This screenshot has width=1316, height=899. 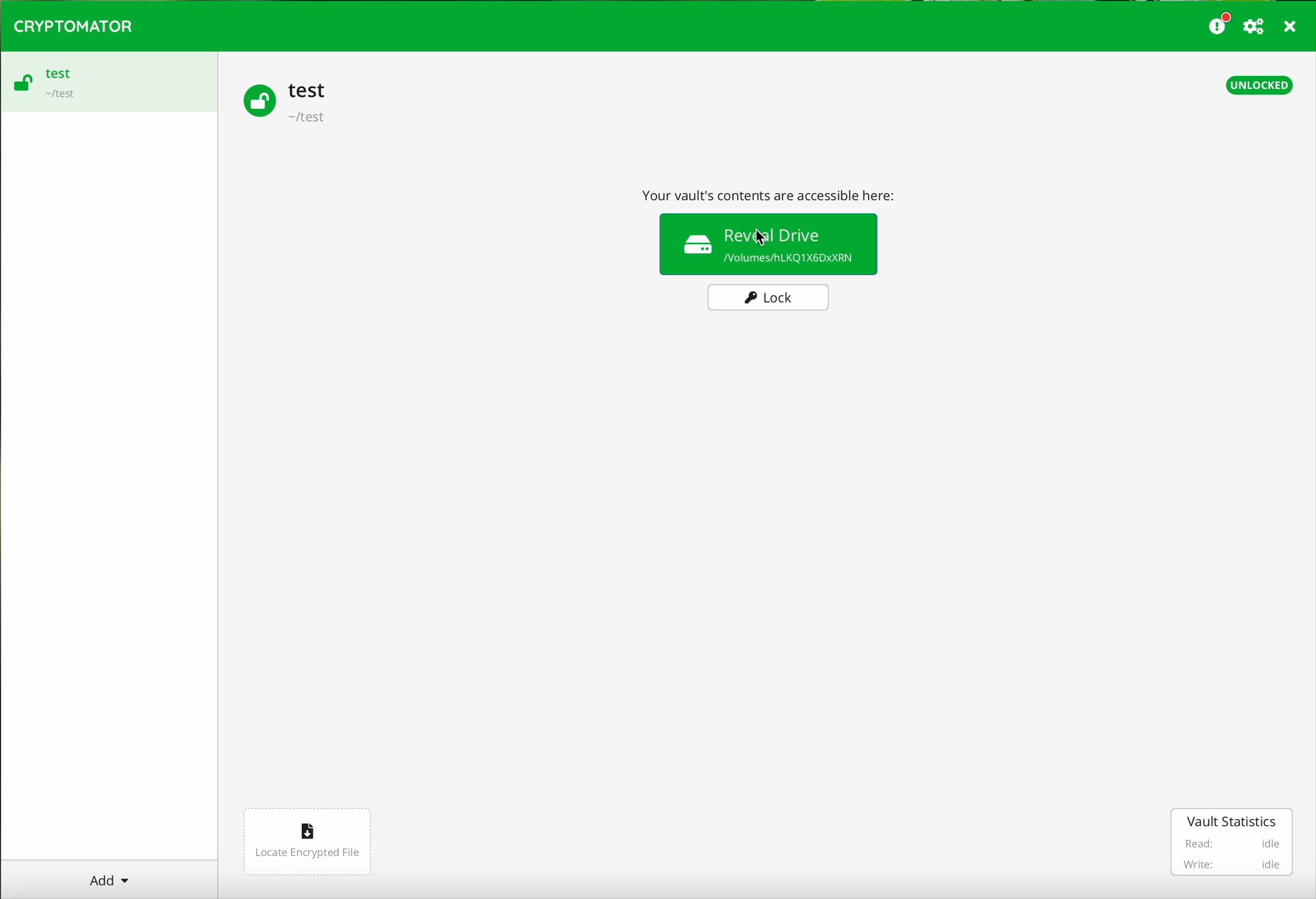 I want to click on reveal drive, so click(x=771, y=242).